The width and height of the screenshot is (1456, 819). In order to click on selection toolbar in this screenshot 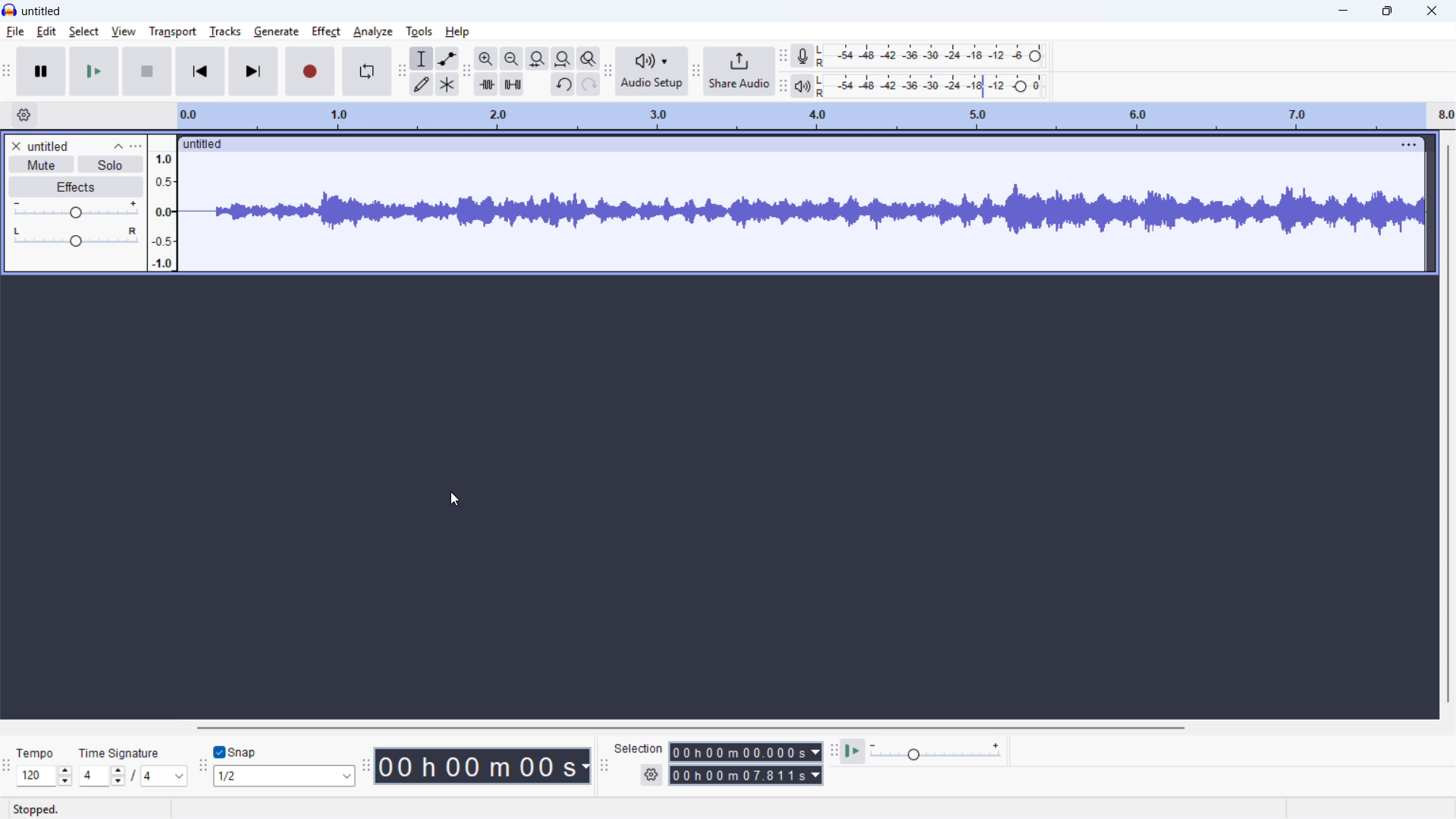, I will do `click(605, 764)`.